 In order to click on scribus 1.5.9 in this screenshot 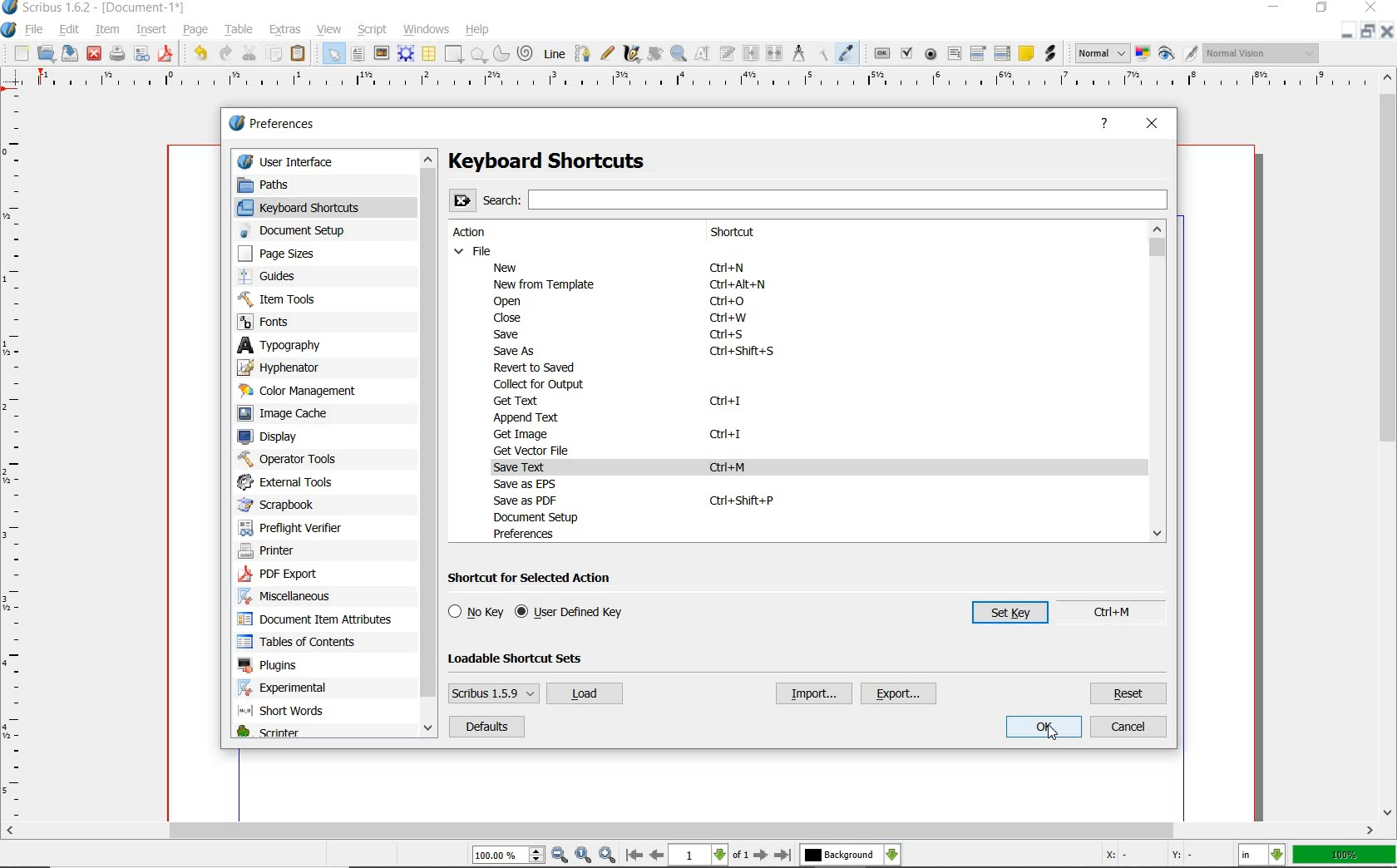, I will do `click(492, 693)`.